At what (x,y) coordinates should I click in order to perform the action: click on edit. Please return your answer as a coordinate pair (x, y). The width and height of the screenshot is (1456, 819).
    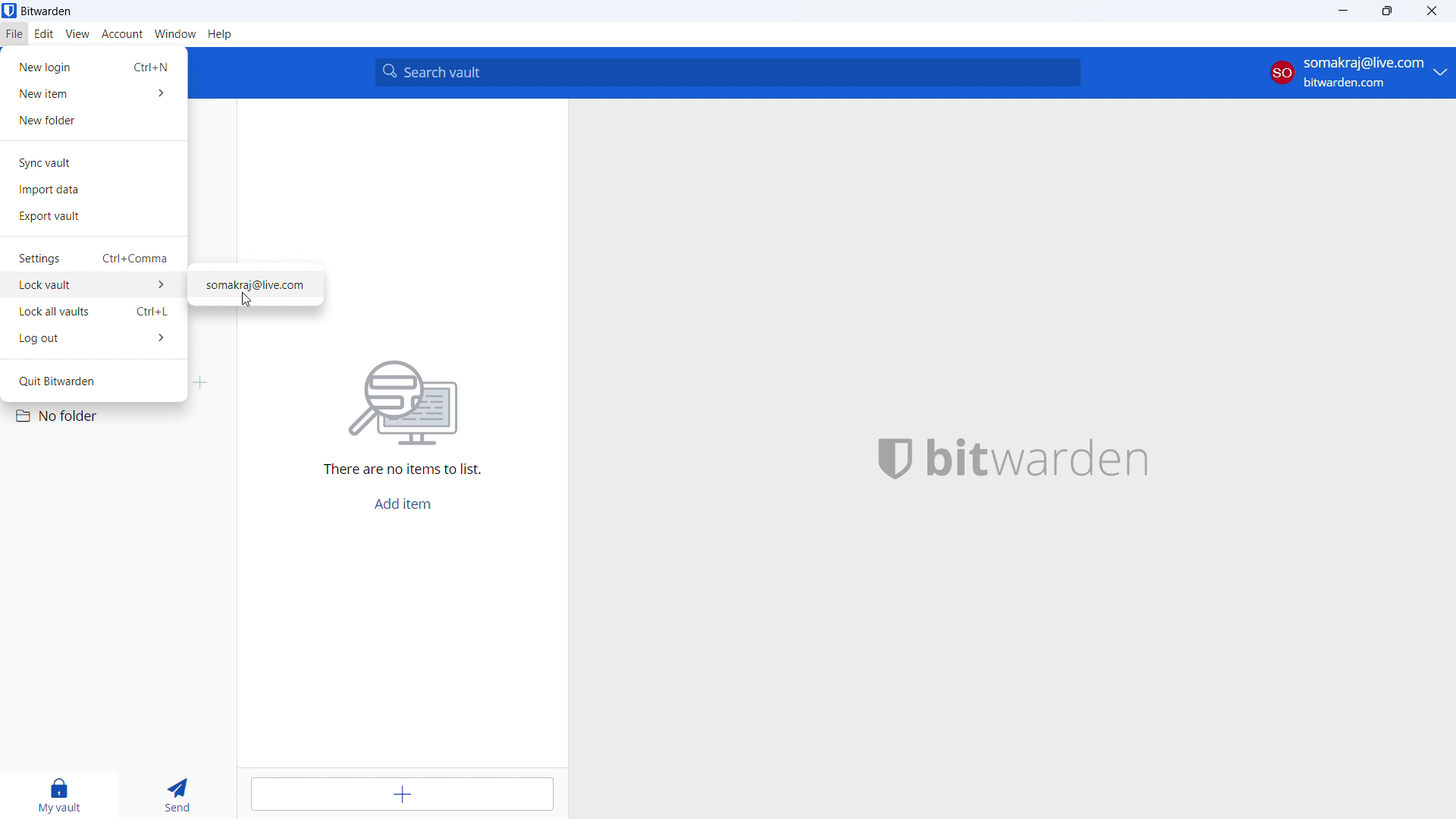
    Looking at the image, I should click on (44, 34).